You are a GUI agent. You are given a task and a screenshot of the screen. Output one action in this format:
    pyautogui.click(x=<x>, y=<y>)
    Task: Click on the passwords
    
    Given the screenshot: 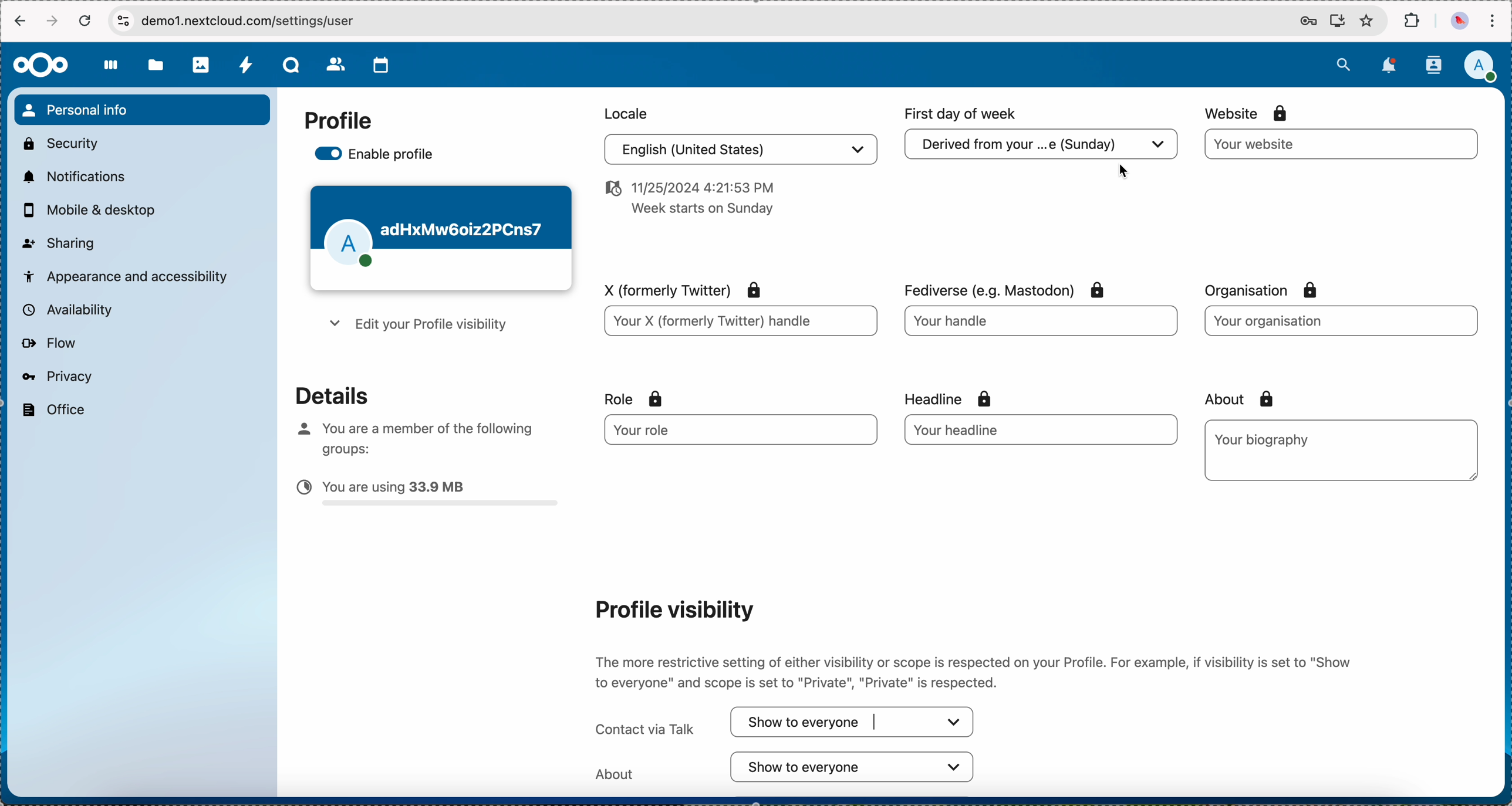 What is the action you would take?
    pyautogui.click(x=1305, y=22)
    